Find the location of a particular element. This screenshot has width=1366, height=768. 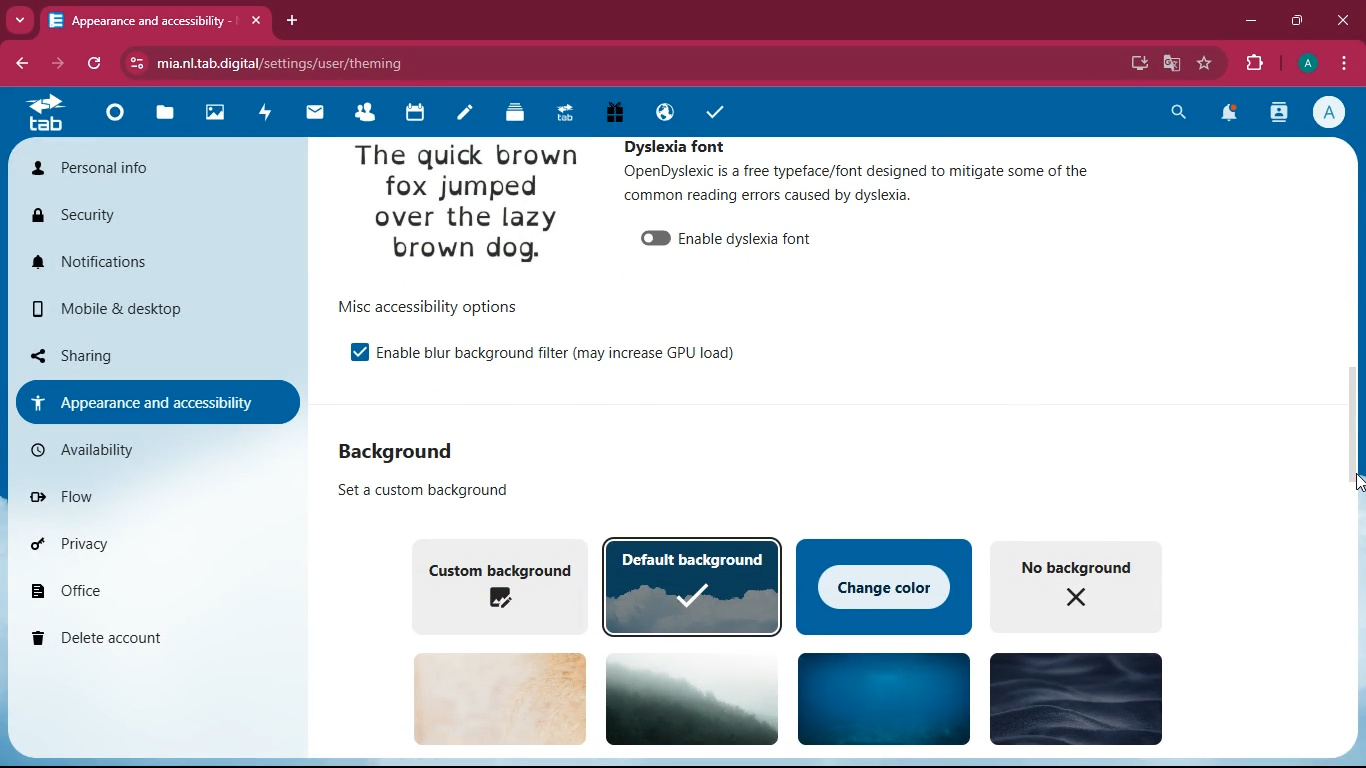

back is located at coordinates (24, 64).